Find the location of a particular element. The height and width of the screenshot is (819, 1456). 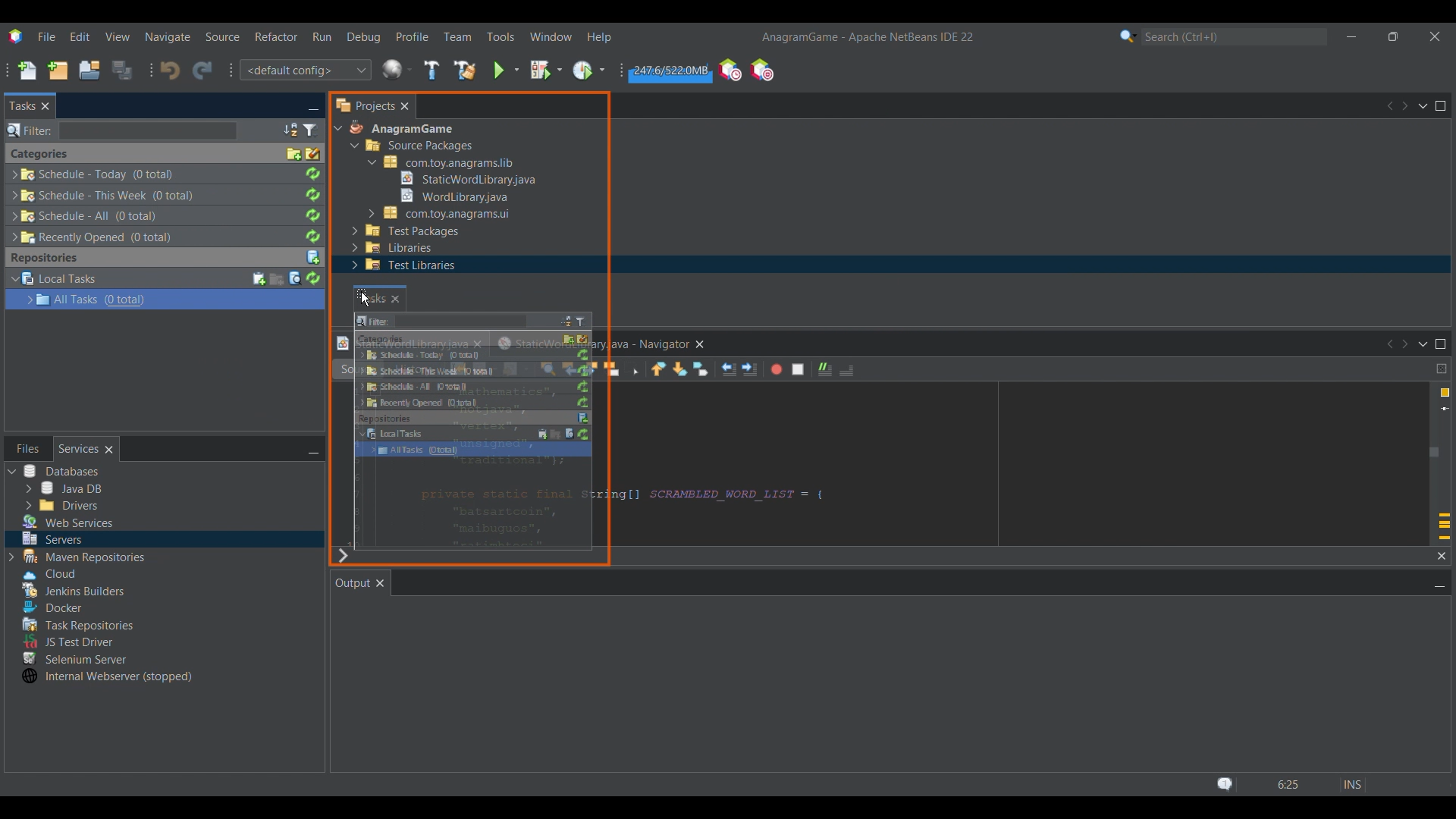

Click to force garbage collection is located at coordinates (670, 71).